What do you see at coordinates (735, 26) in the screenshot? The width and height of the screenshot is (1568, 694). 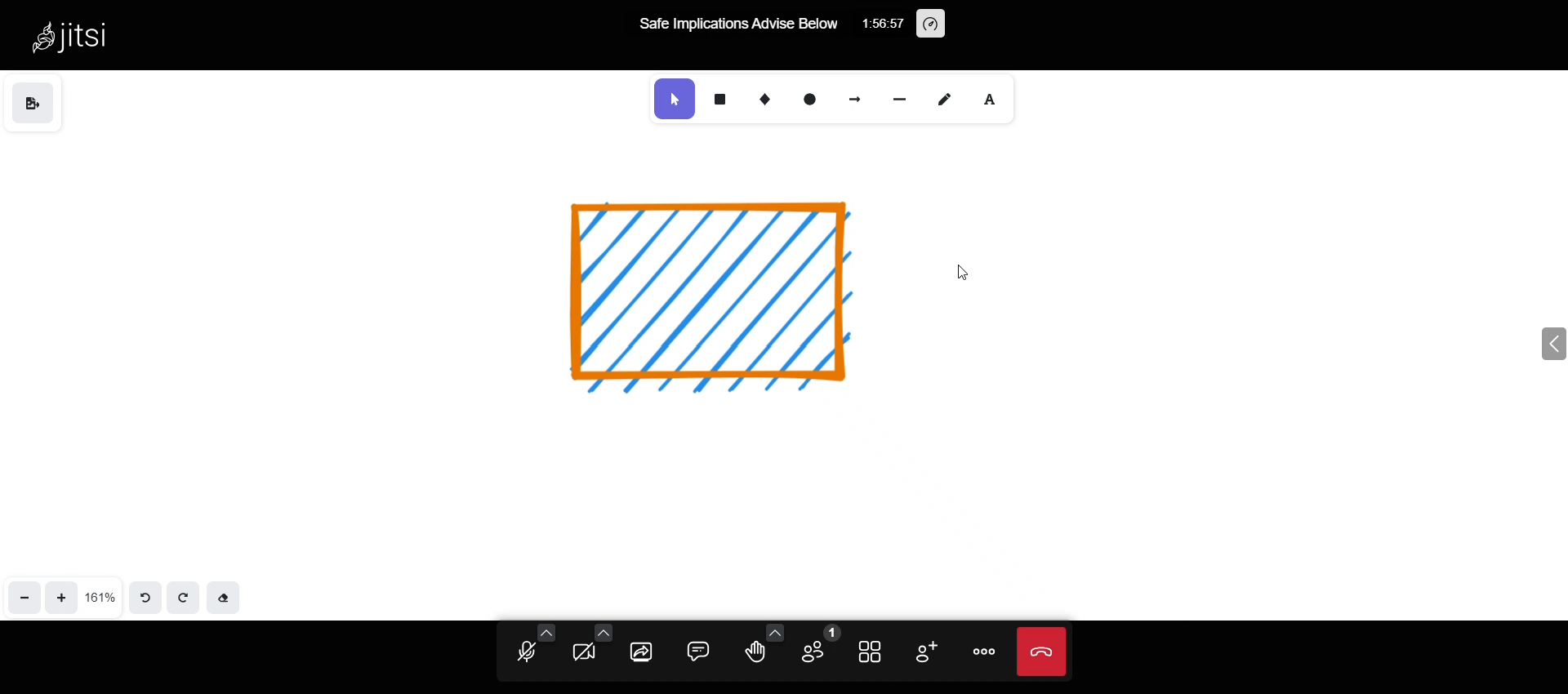 I see `Safe Implications Advise Below` at bounding box center [735, 26].